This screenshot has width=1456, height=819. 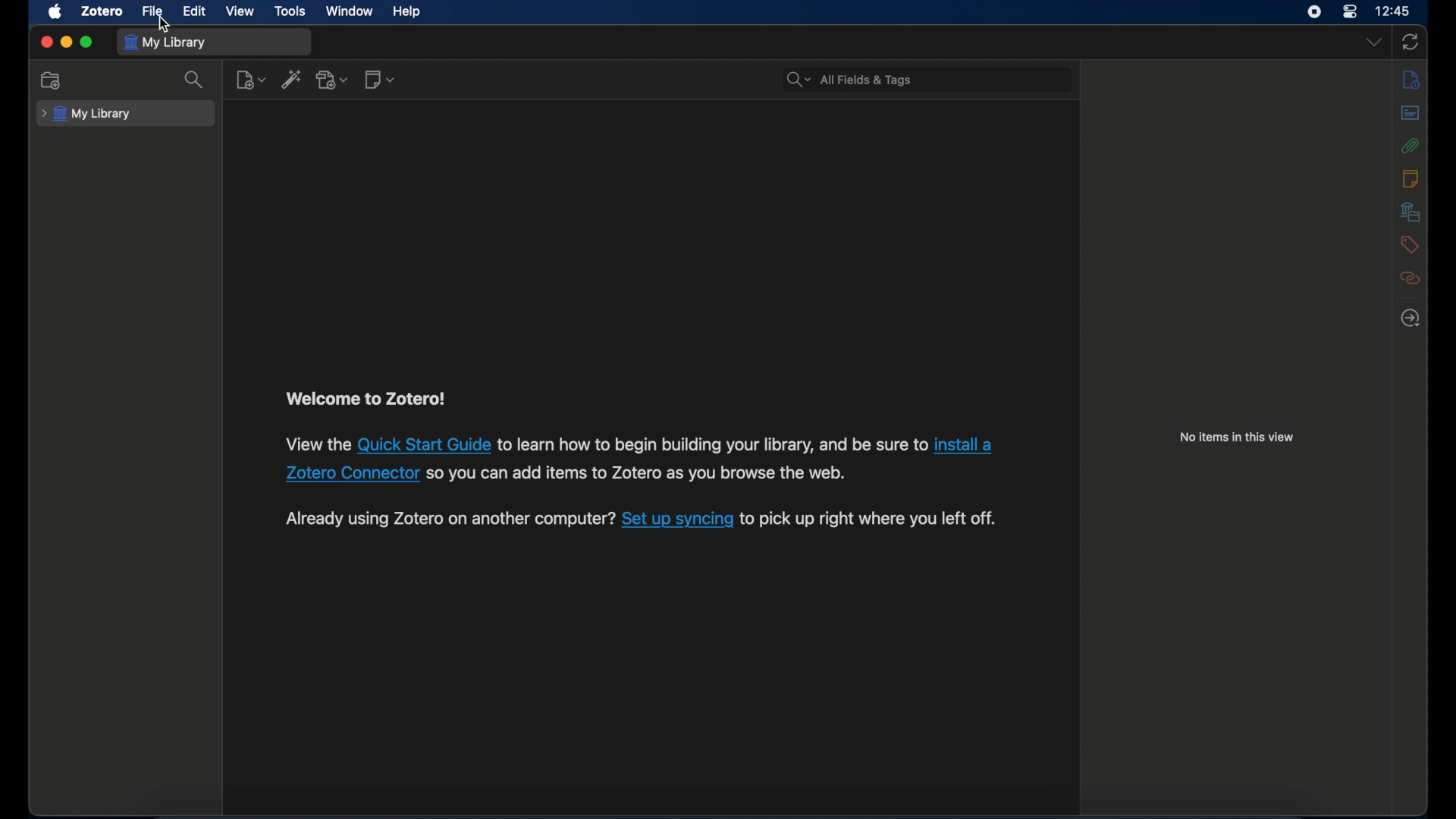 I want to click on related, so click(x=1410, y=278).